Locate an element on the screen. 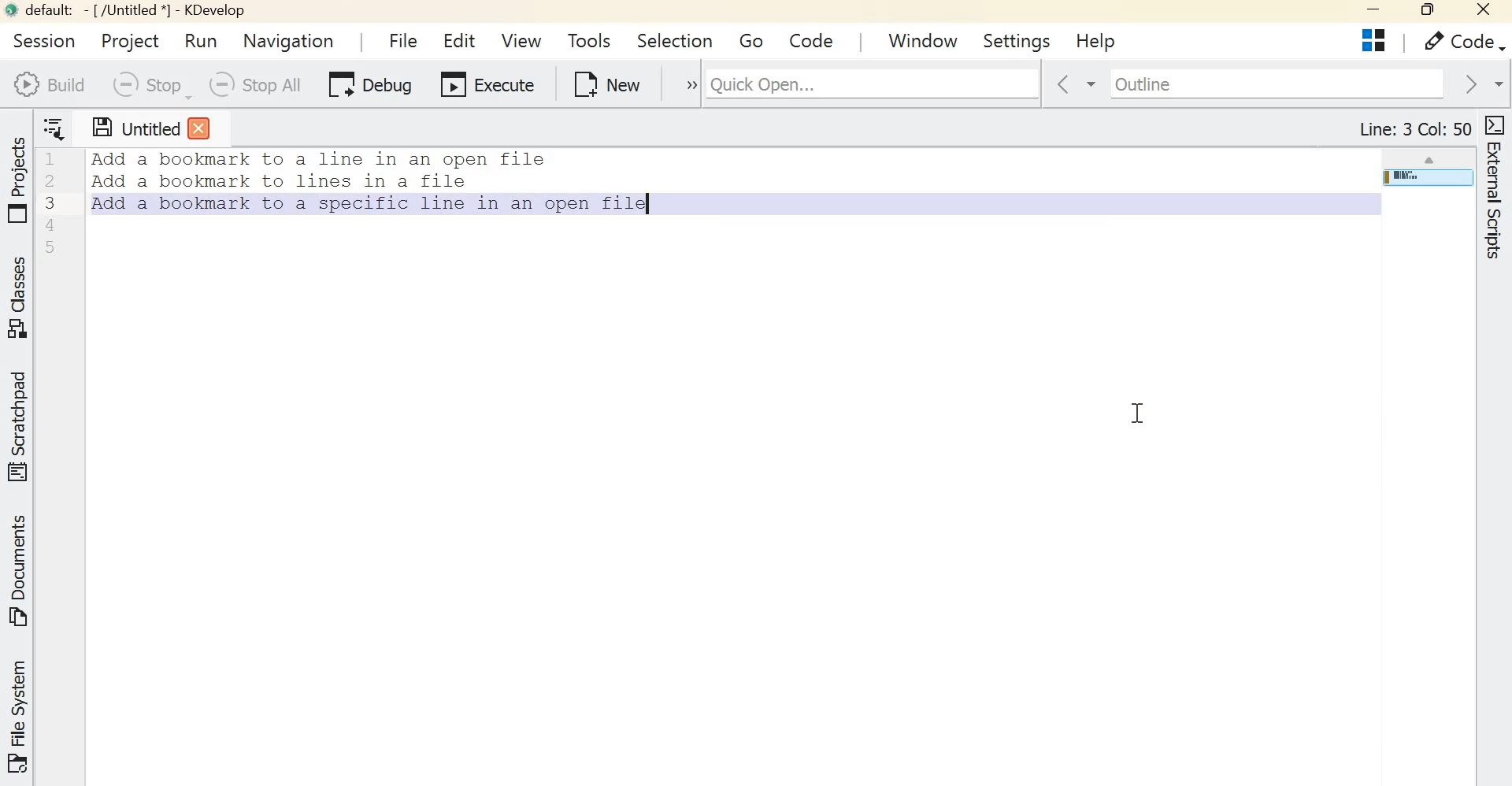 Image resolution: width=1512 pixels, height=786 pixels. cursor is located at coordinates (1136, 416).